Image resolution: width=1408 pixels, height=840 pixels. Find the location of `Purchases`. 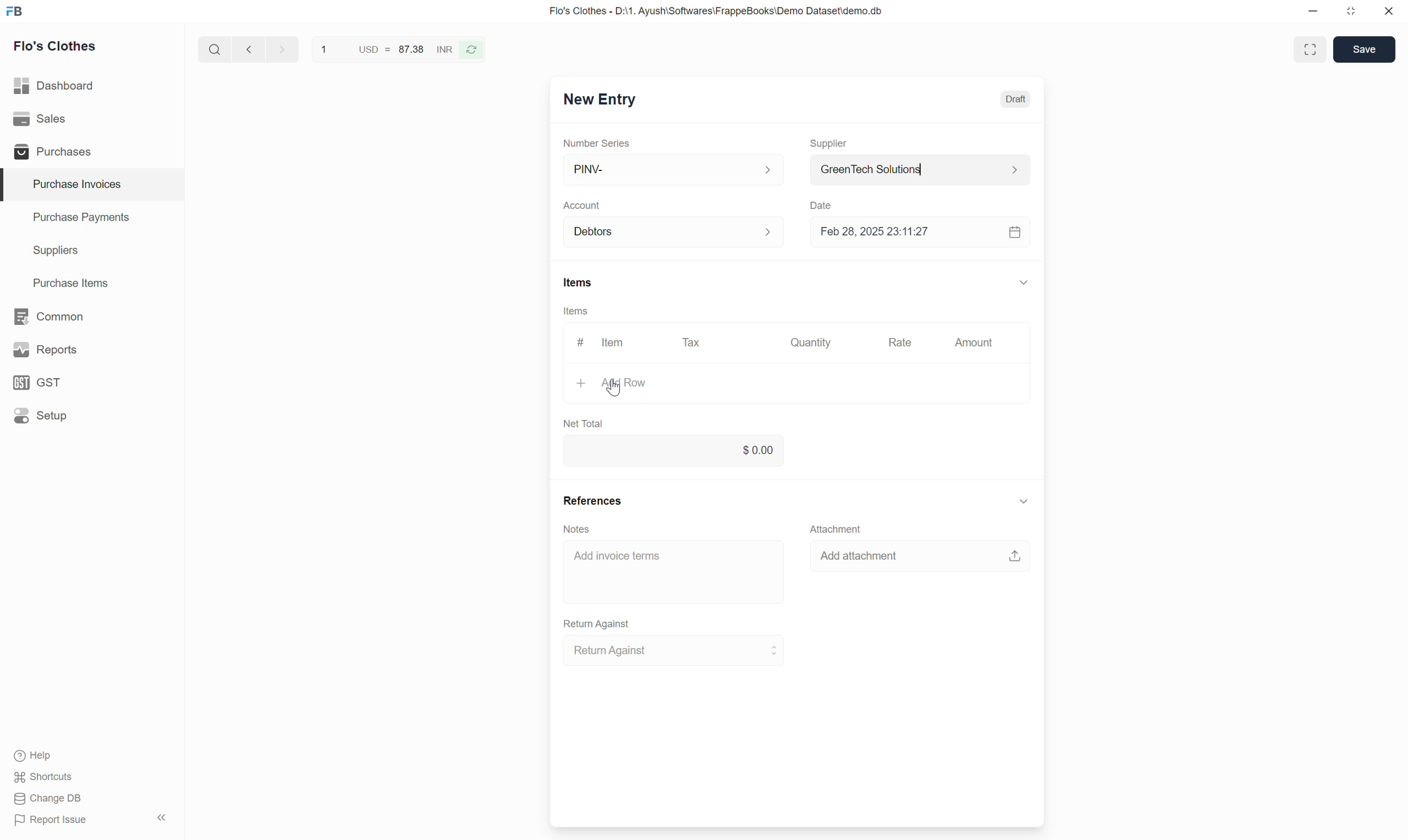

Purchases is located at coordinates (91, 151).